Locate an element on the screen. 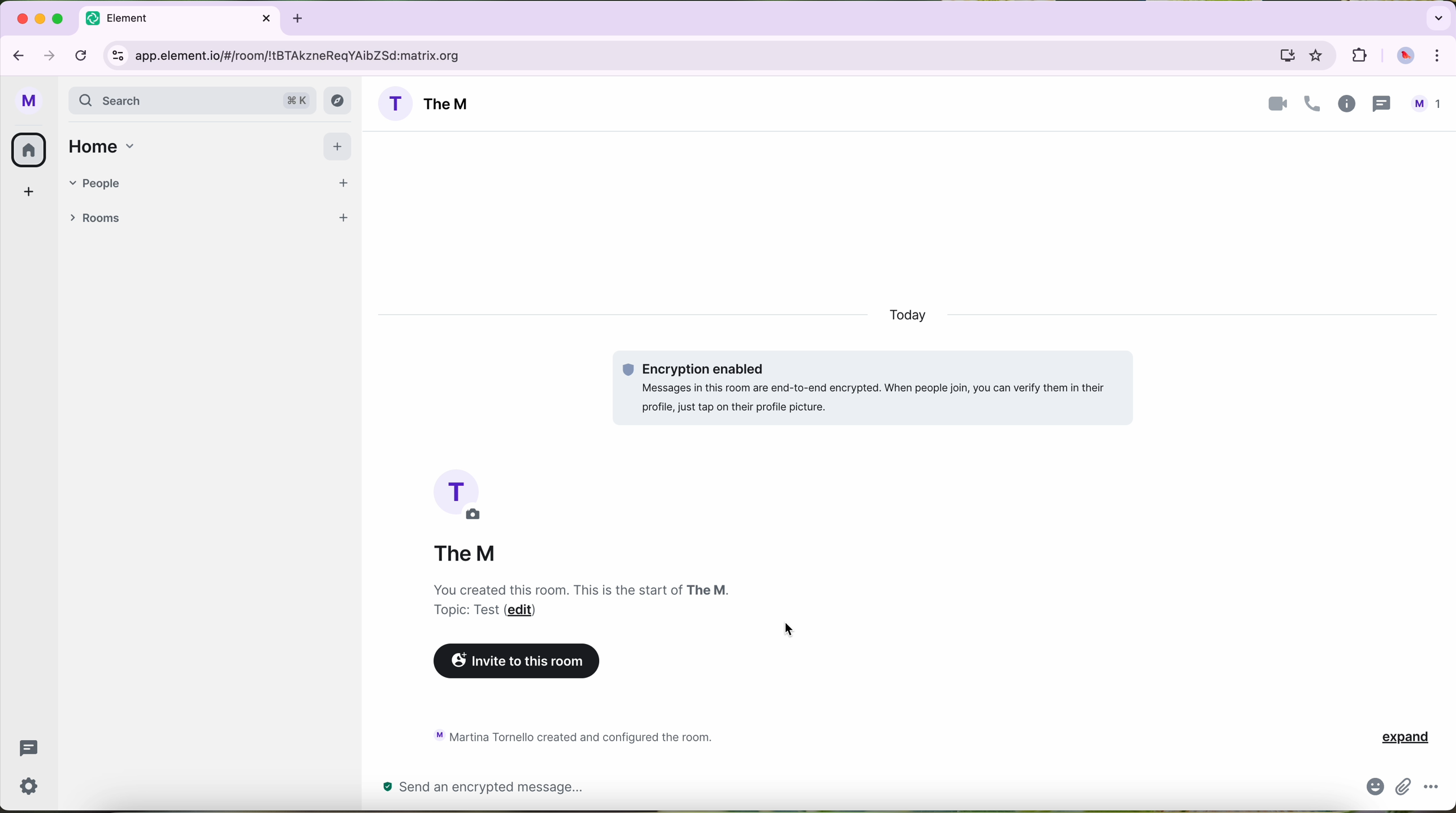  profile is located at coordinates (29, 103).